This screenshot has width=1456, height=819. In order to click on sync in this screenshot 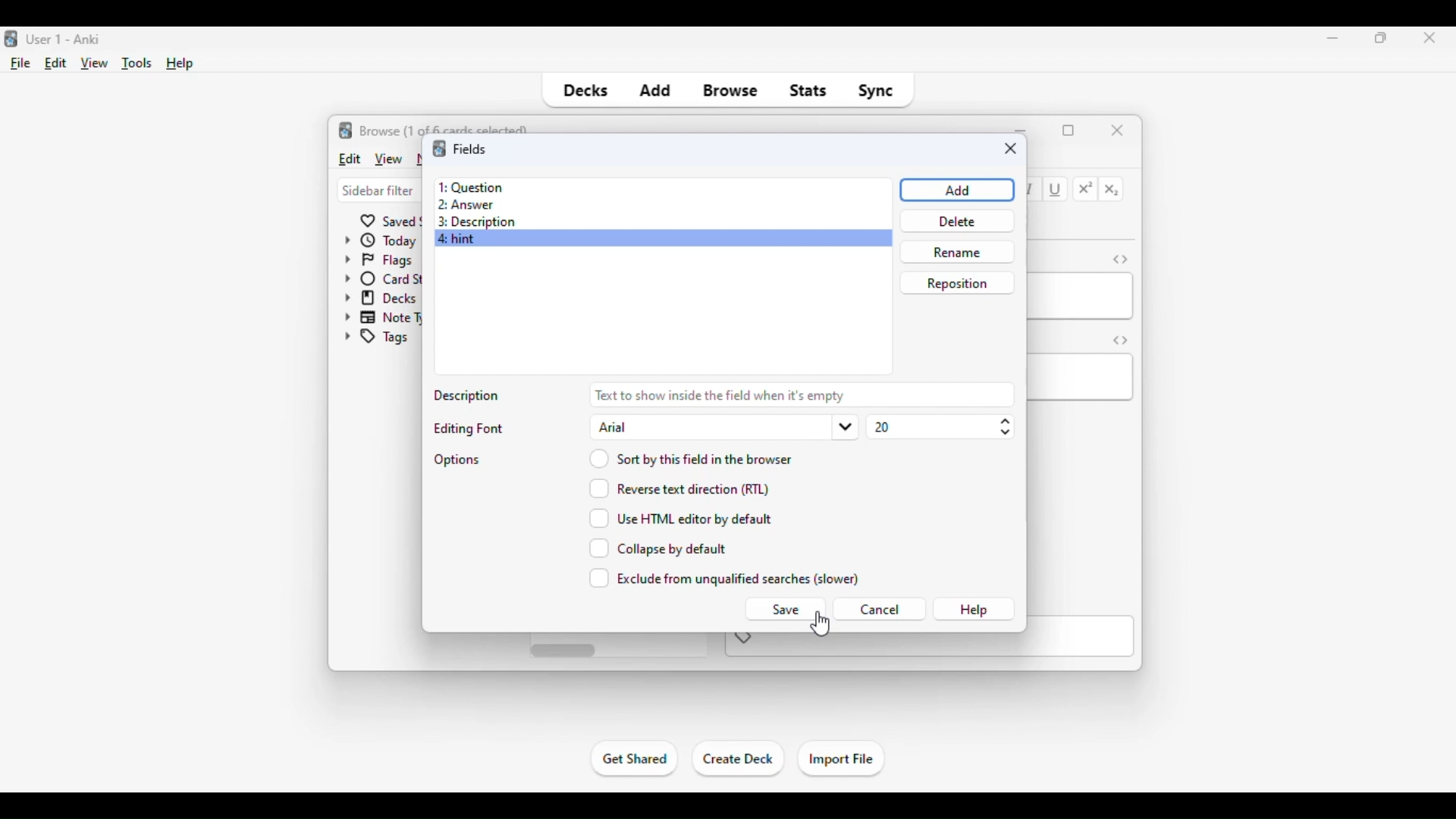, I will do `click(875, 91)`.